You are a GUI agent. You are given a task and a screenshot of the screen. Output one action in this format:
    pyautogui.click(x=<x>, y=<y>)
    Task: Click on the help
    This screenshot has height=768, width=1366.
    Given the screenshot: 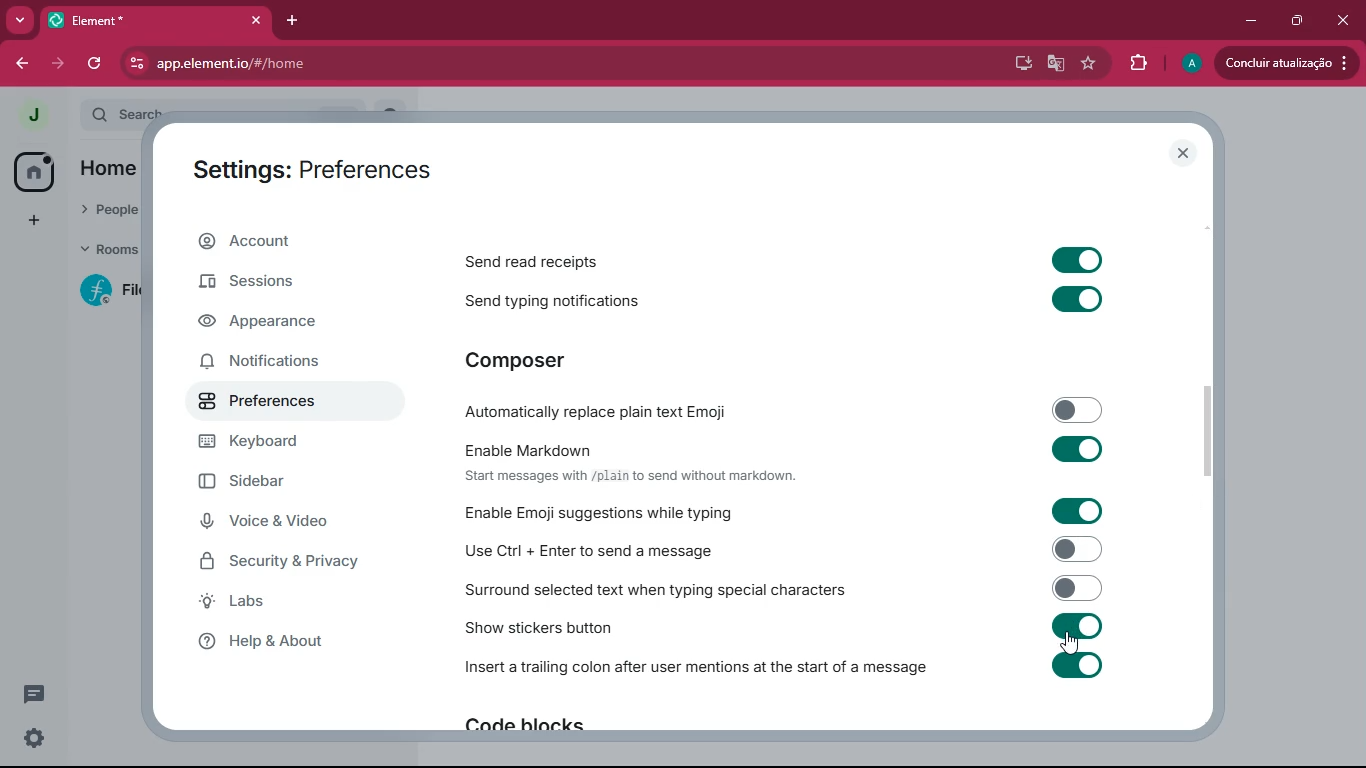 What is the action you would take?
    pyautogui.click(x=282, y=641)
    